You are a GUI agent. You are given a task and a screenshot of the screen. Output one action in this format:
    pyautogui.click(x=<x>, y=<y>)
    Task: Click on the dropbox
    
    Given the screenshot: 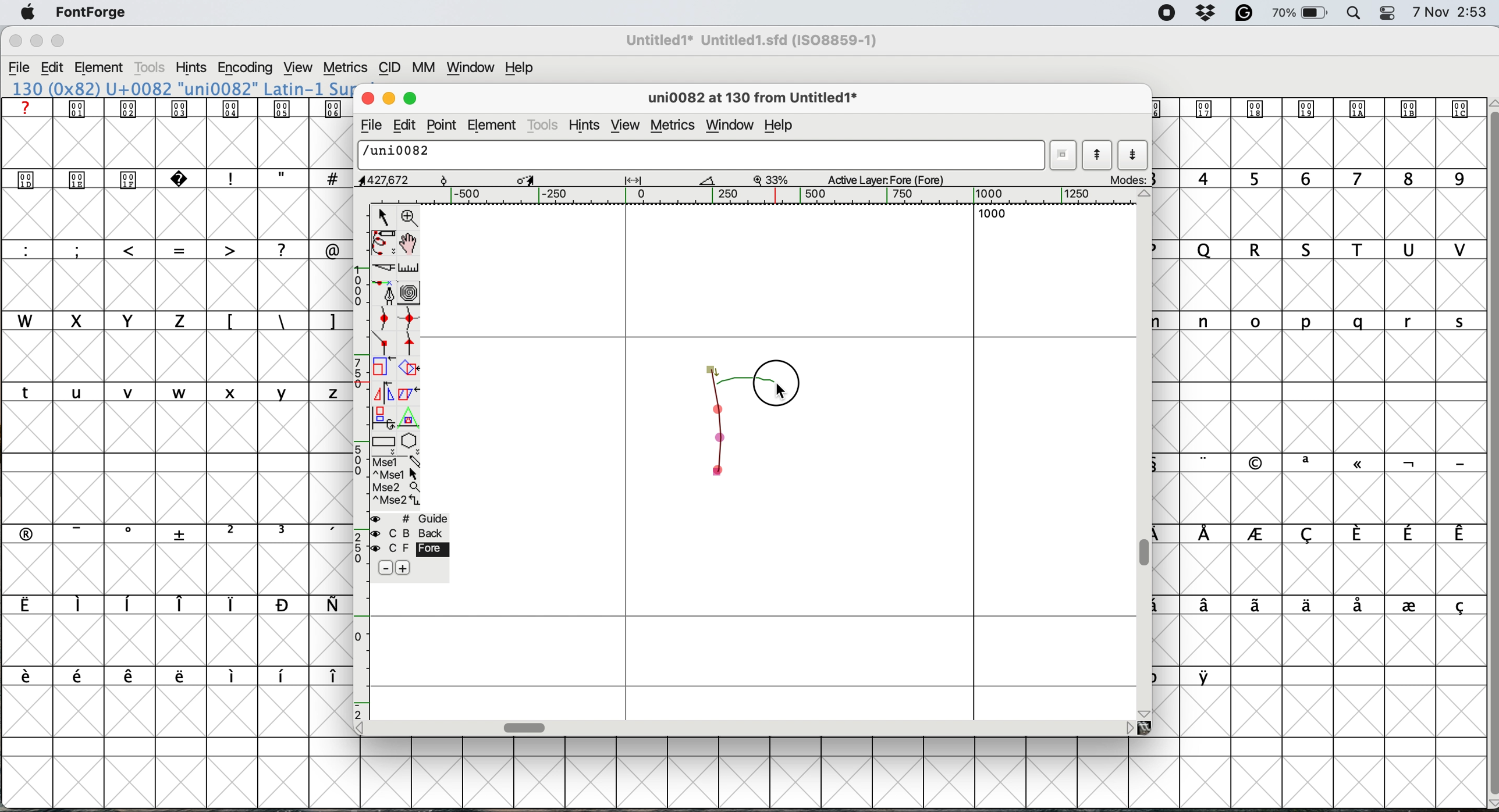 What is the action you would take?
    pyautogui.click(x=1208, y=13)
    